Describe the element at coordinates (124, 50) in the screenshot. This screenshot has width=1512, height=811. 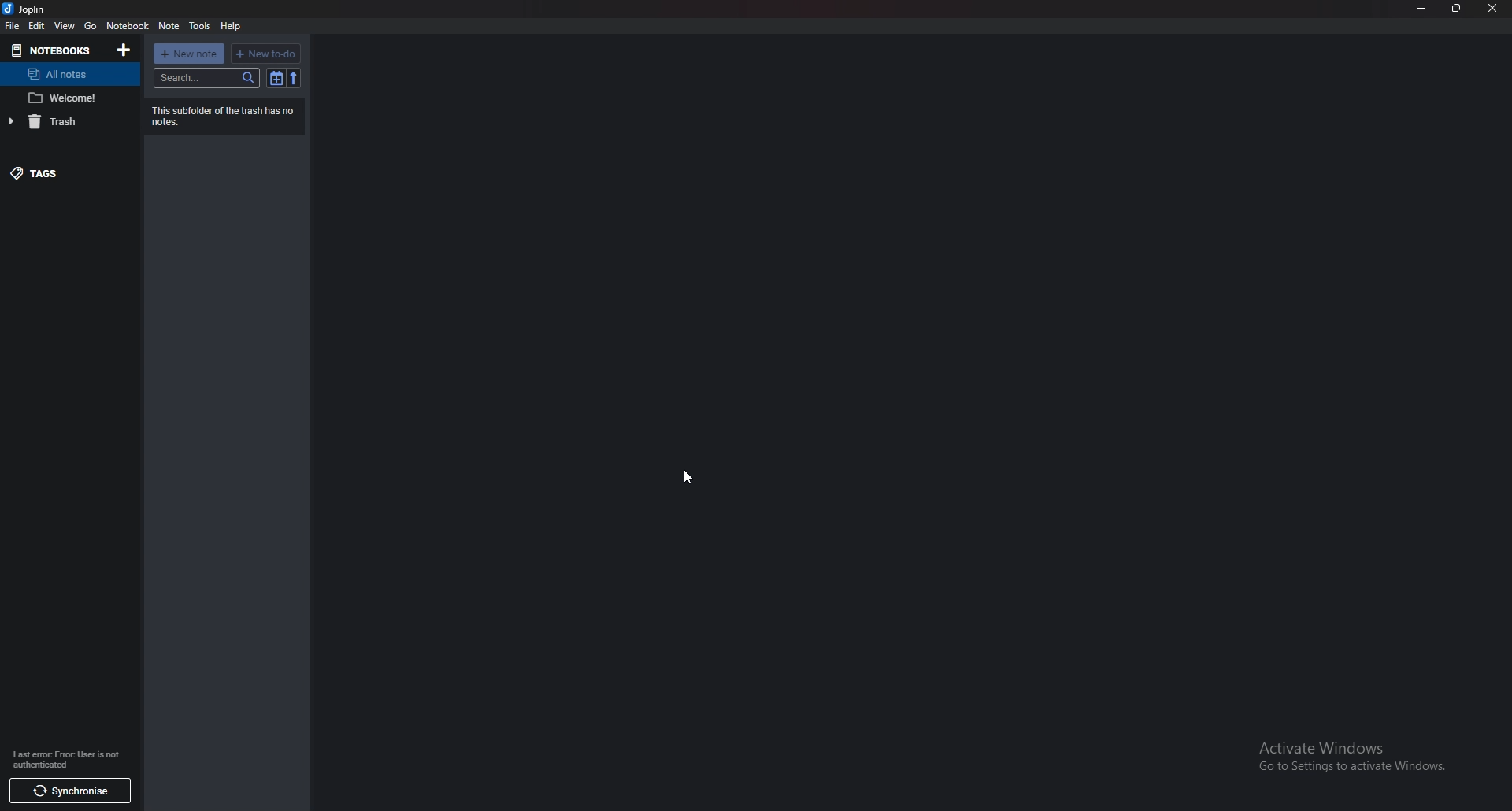
I see `Add notebooks` at that location.